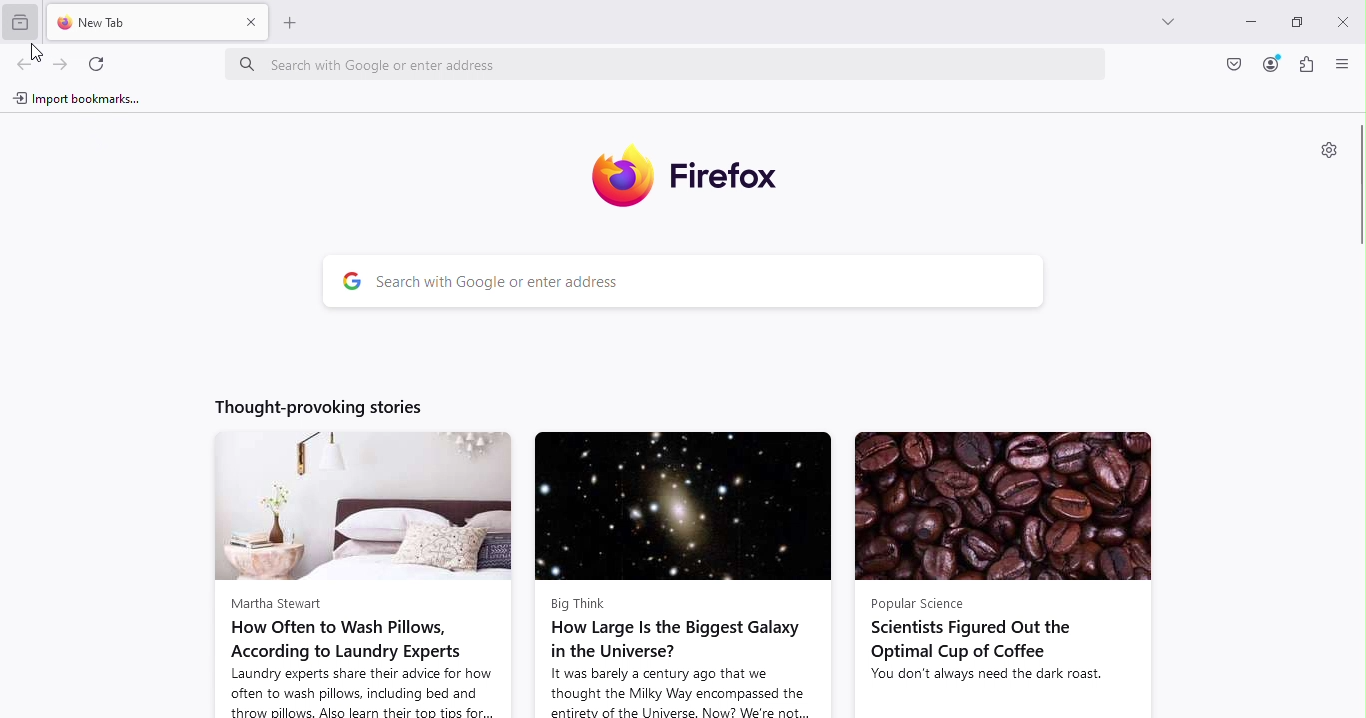 The image size is (1366, 718). Describe the element at coordinates (1357, 185) in the screenshot. I see `Scroll bar` at that location.